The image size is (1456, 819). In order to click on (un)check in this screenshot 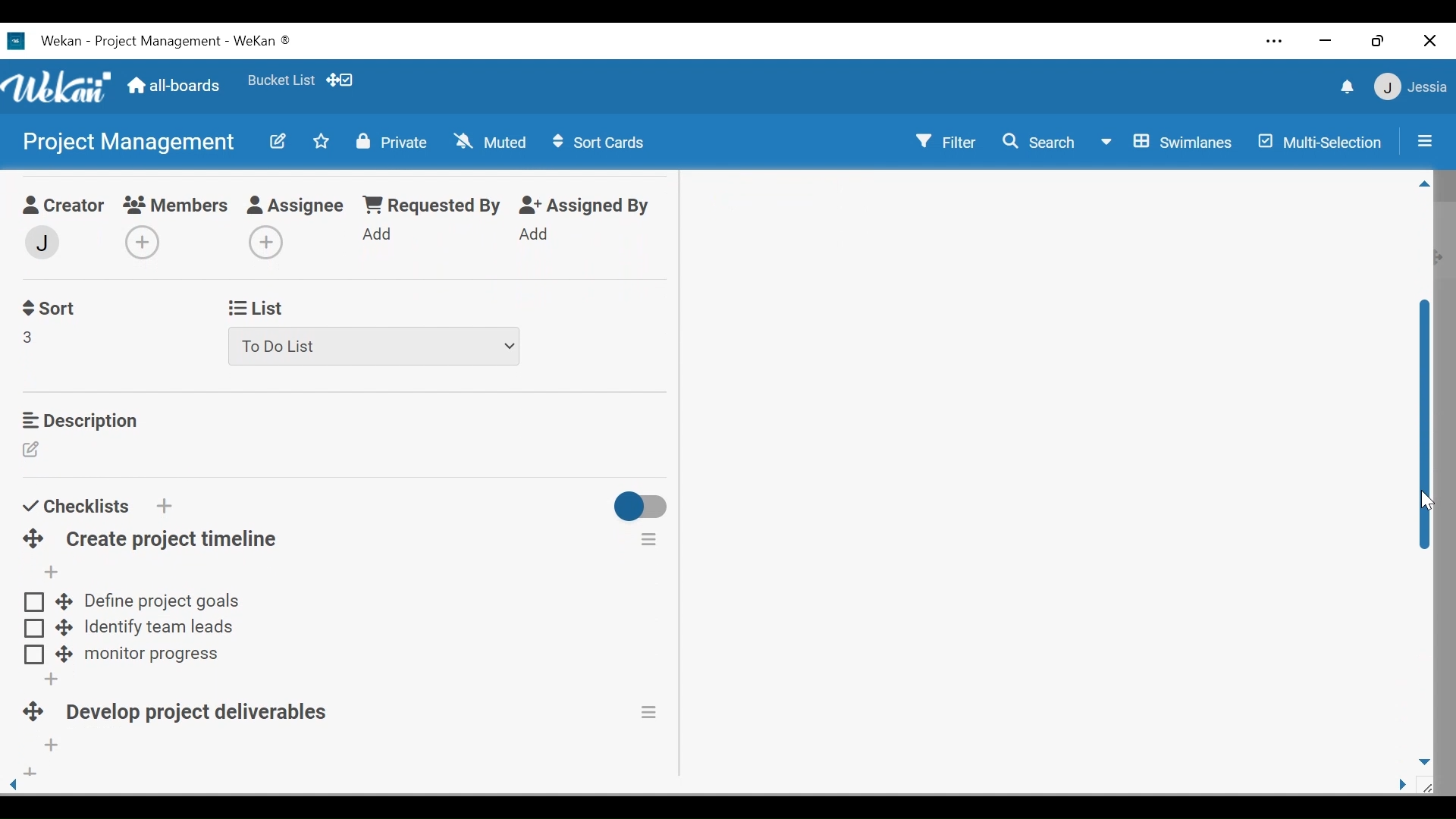, I will do `click(34, 655)`.